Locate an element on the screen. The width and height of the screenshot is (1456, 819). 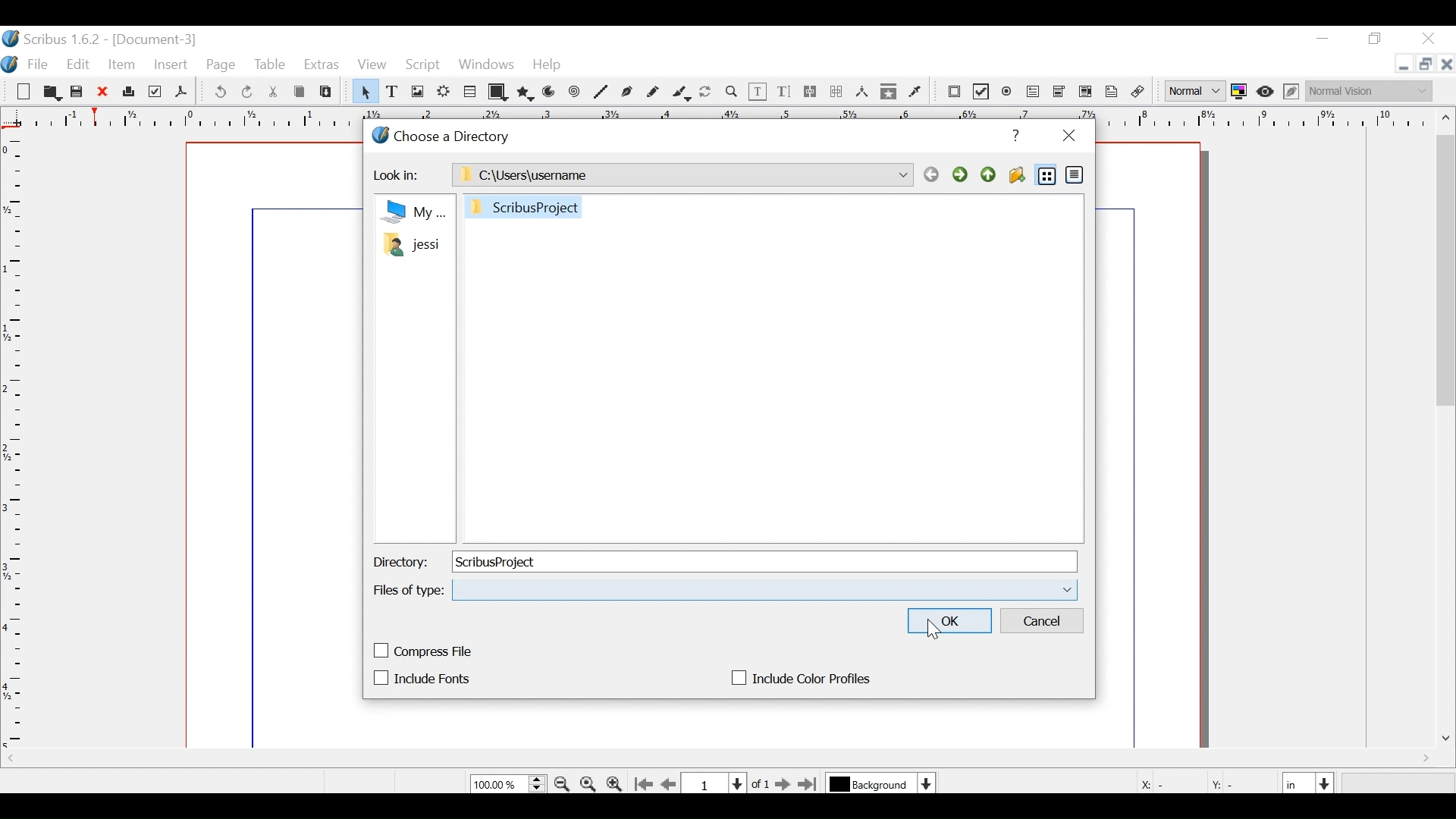
View is located at coordinates (372, 65).